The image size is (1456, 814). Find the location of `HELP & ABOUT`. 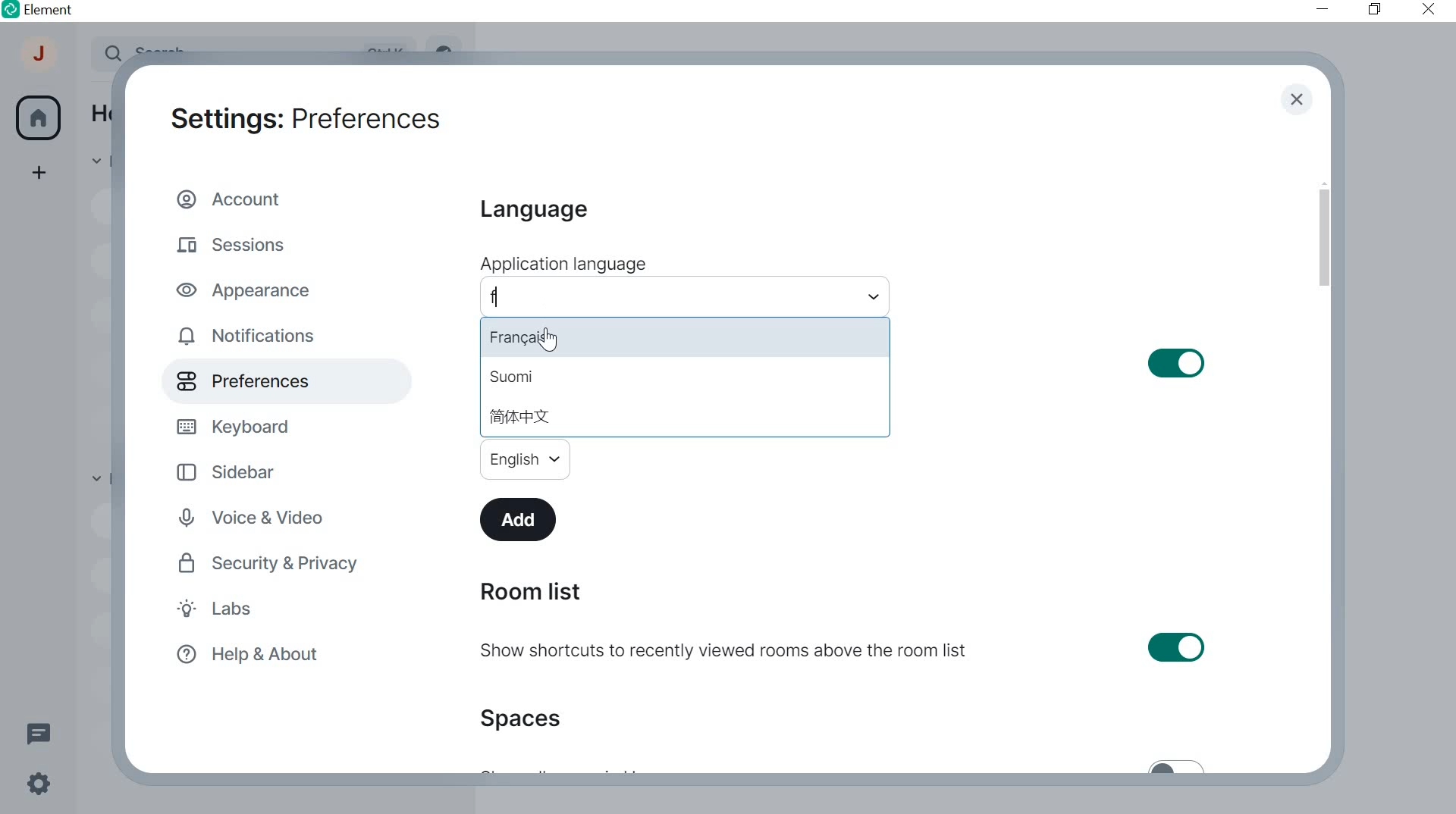

HELP & ABOUT is located at coordinates (245, 656).